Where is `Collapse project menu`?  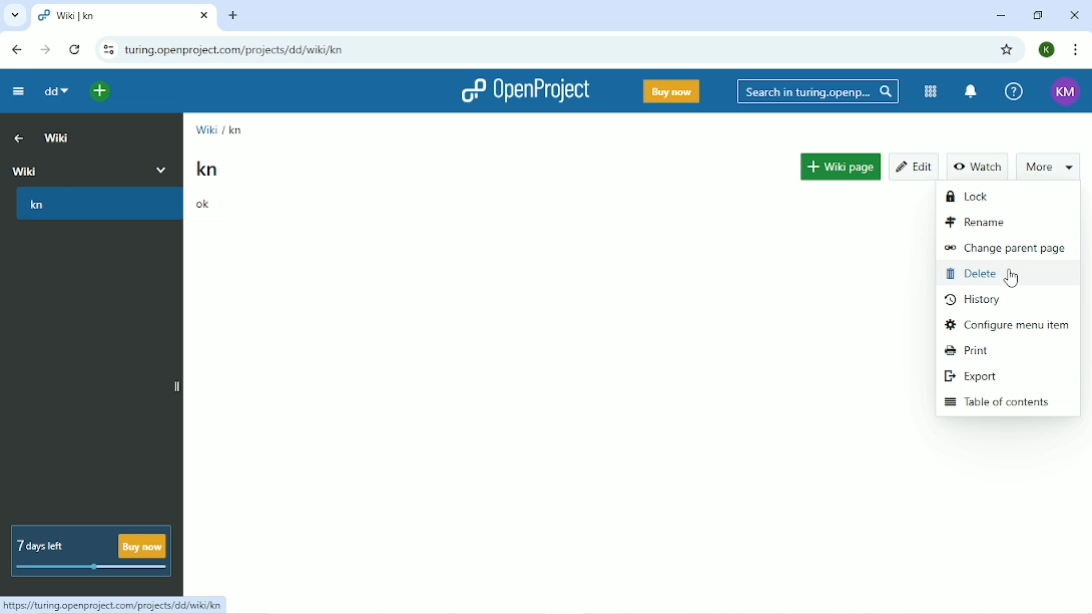 Collapse project menu is located at coordinates (17, 92).